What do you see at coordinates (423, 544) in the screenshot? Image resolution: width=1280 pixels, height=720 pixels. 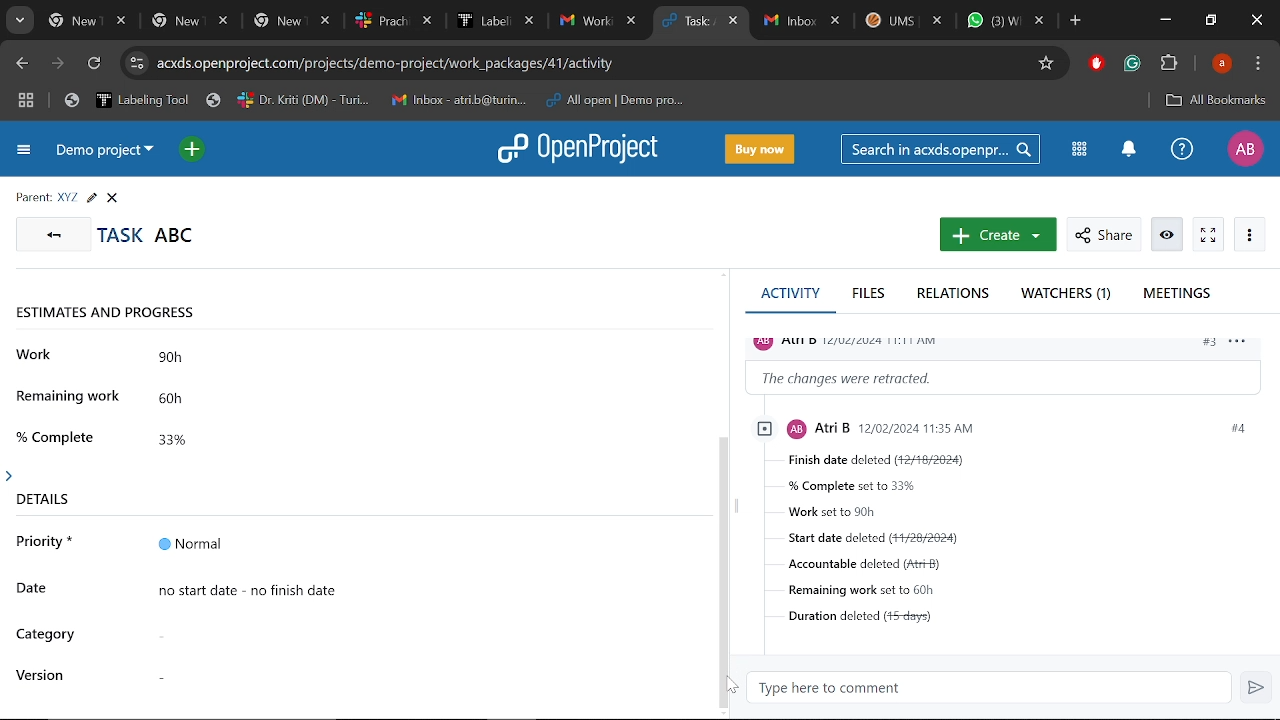 I see `Priority` at bounding box center [423, 544].